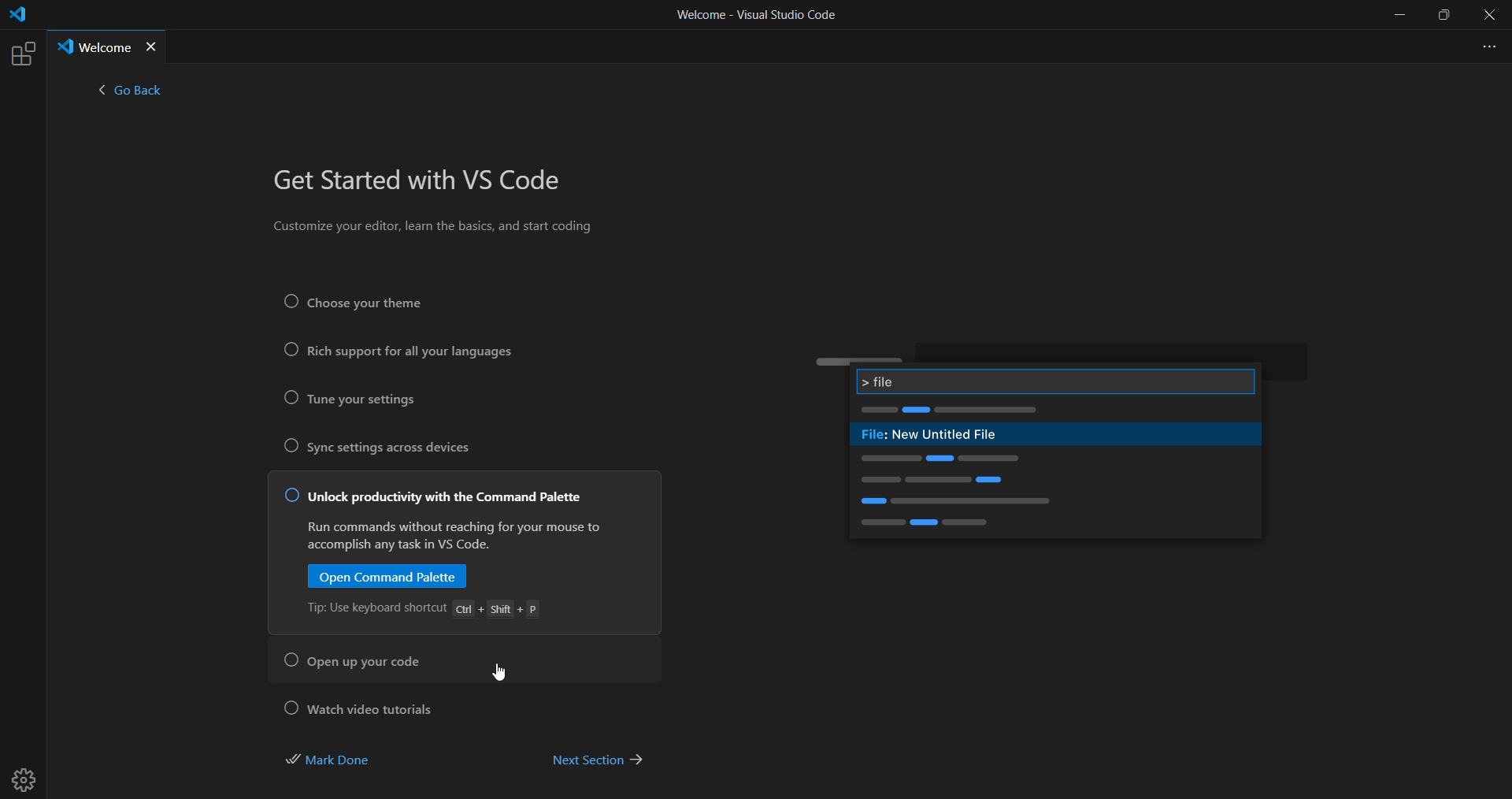 This screenshot has width=1512, height=799. What do you see at coordinates (436, 229) in the screenshot?
I see `Customize your editor, learn the basics, and start coding` at bounding box center [436, 229].